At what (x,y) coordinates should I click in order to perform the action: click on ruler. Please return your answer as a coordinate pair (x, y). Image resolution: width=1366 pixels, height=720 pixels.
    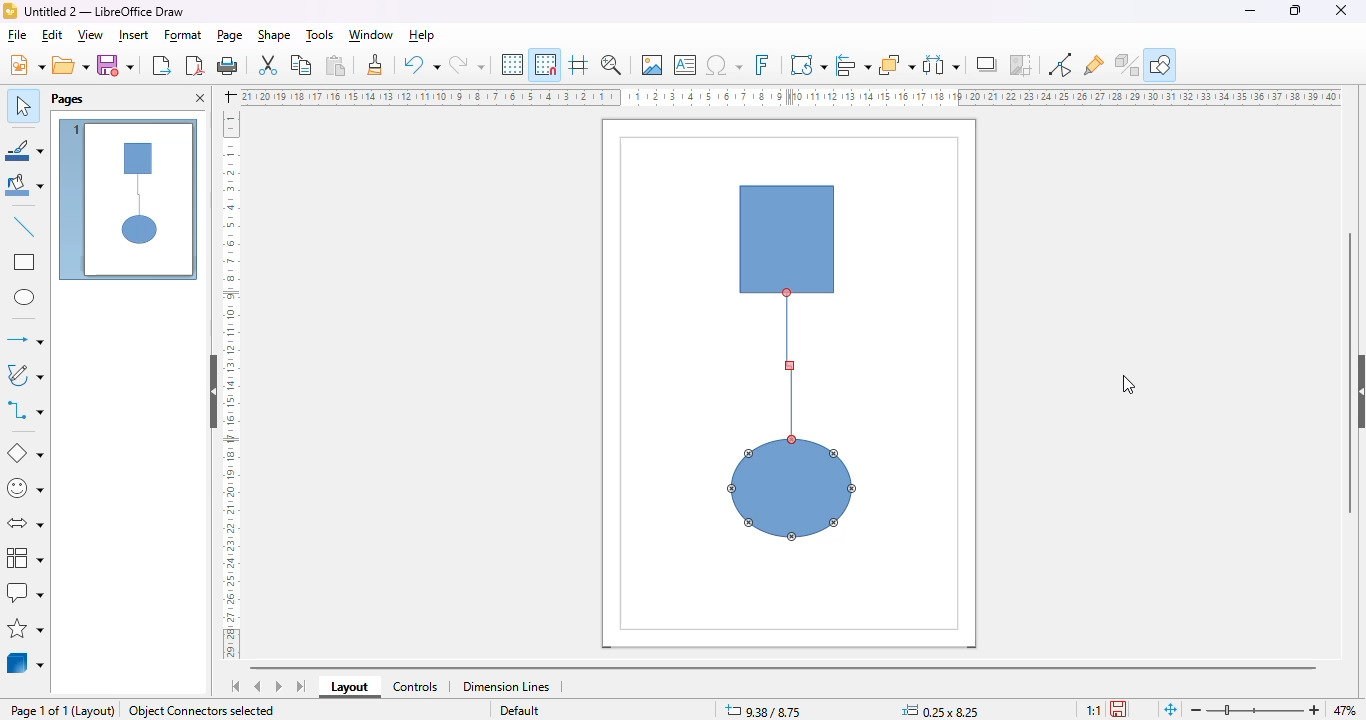
    Looking at the image, I should click on (791, 96).